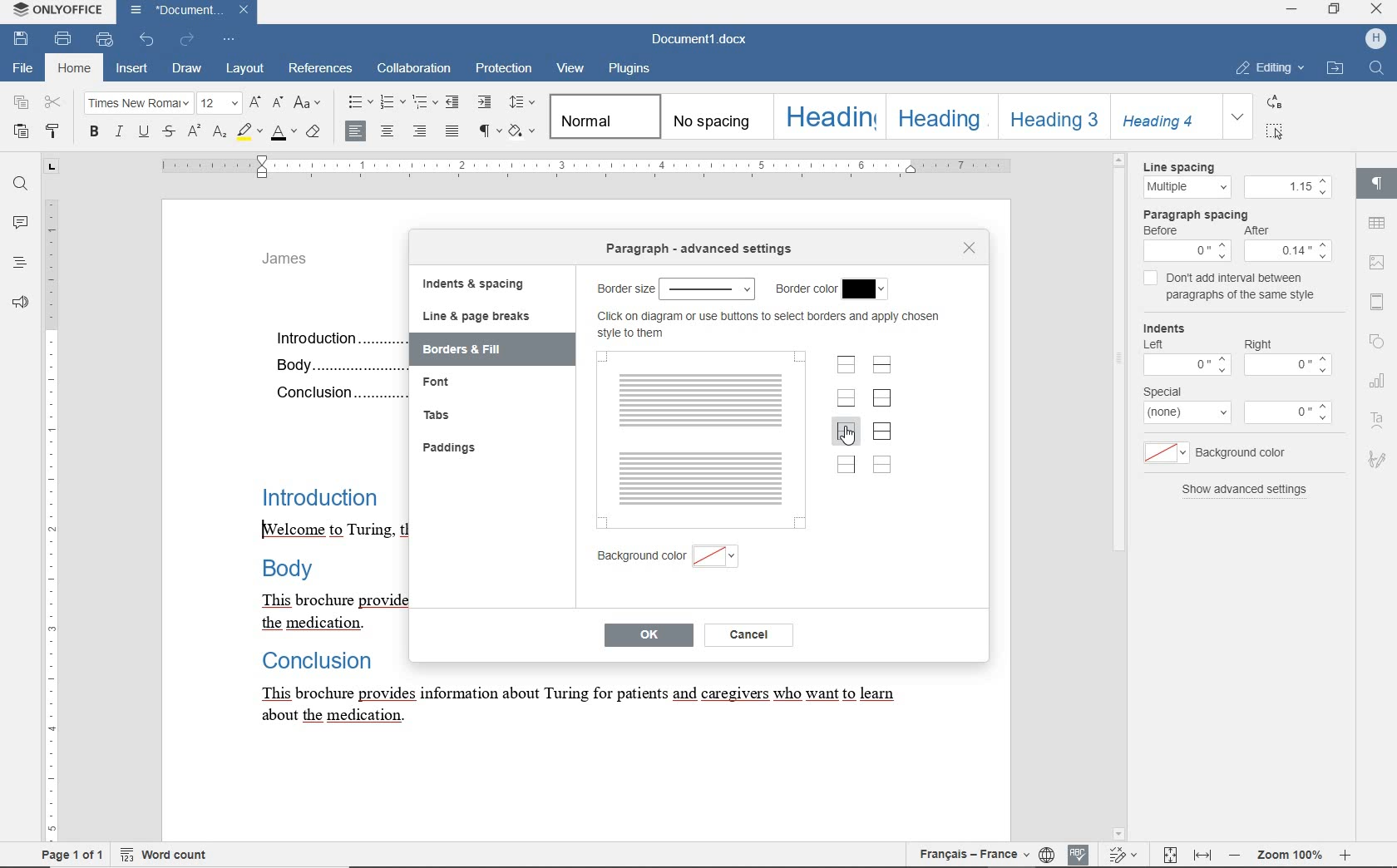 This screenshot has height=868, width=1397. What do you see at coordinates (1047, 855) in the screenshot?
I see `set document language` at bounding box center [1047, 855].